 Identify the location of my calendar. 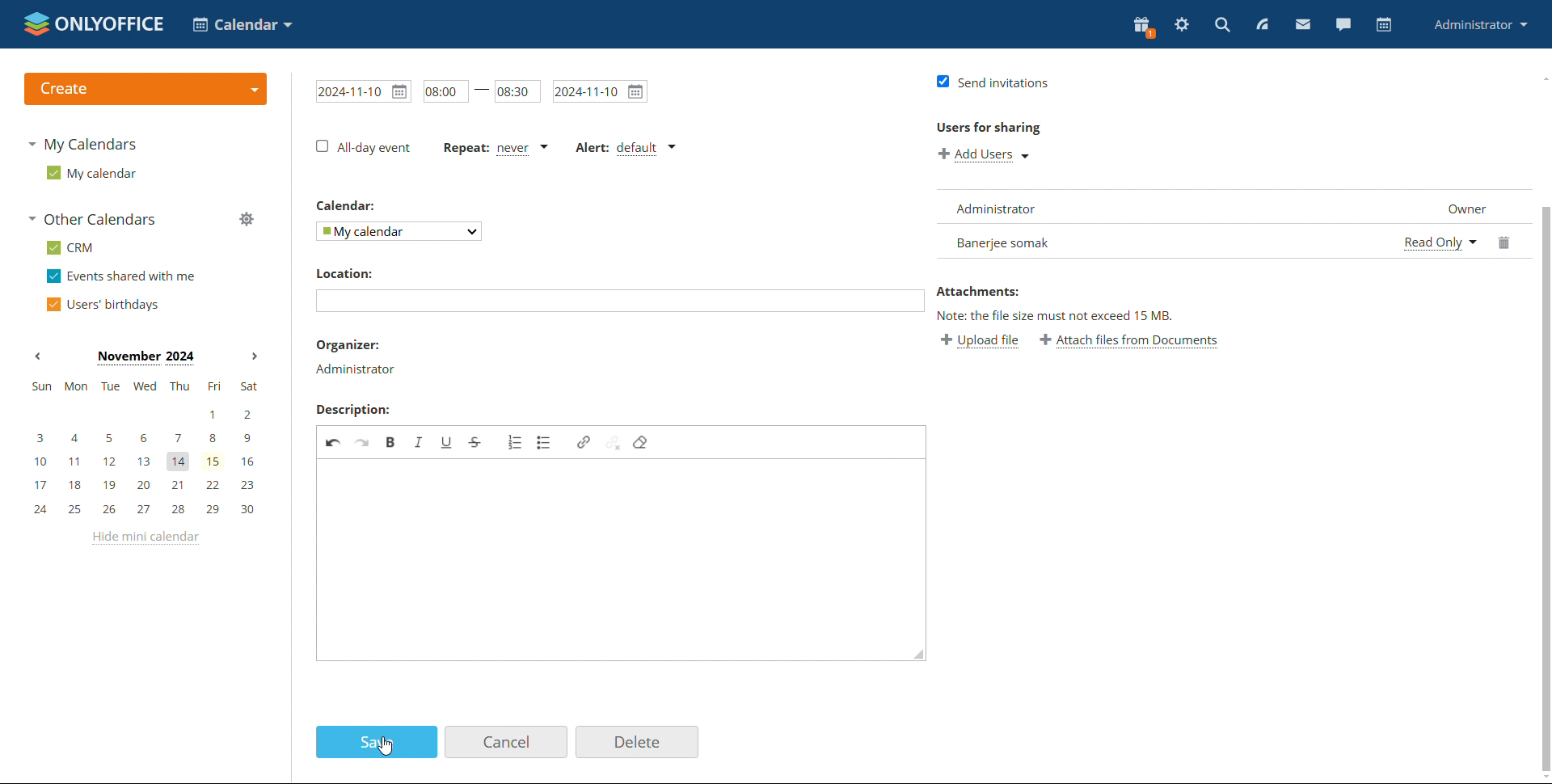
(90, 172).